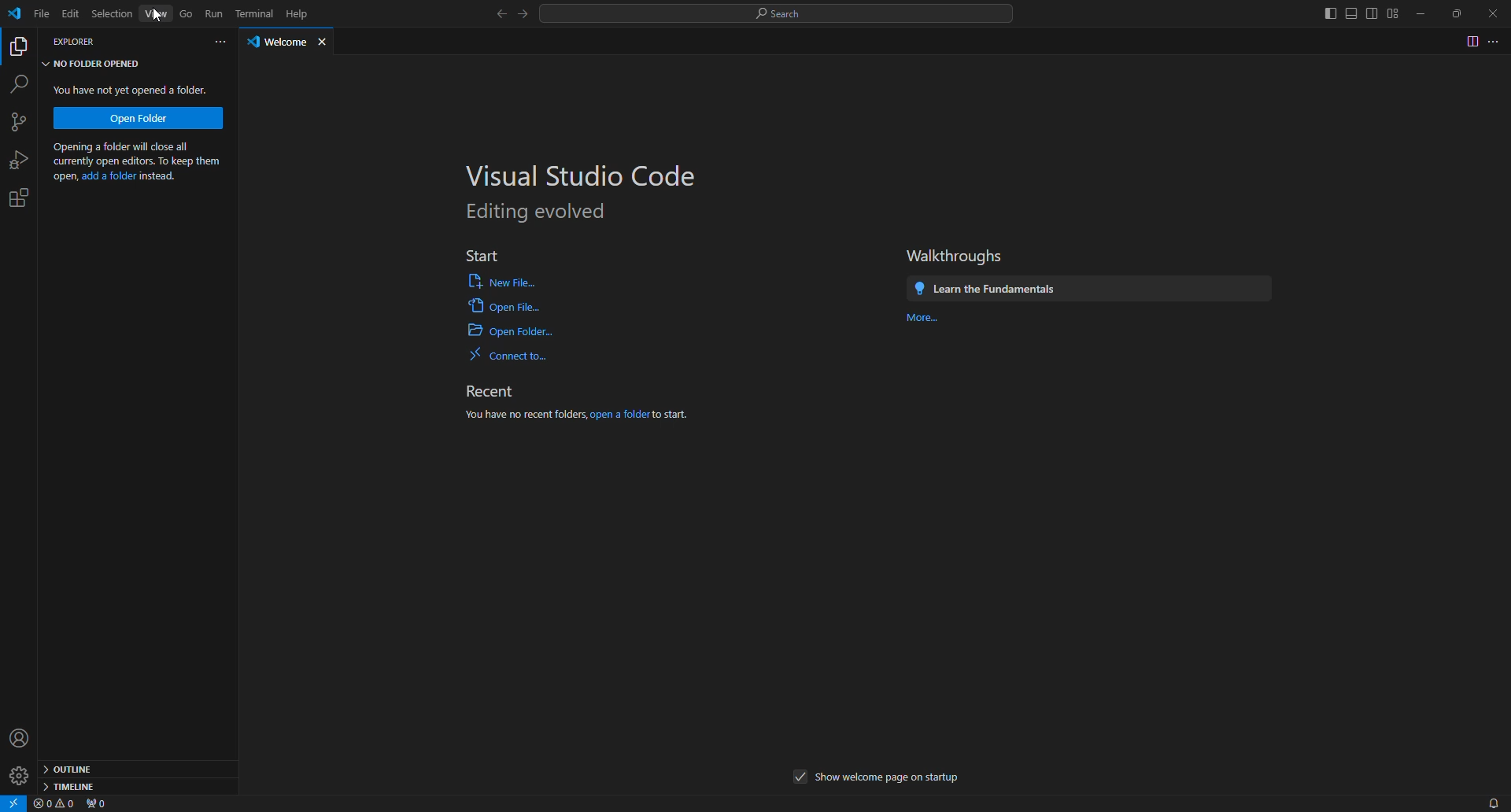 This screenshot has width=1511, height=812. I want to click on Move to sides, so click(1353, 14).